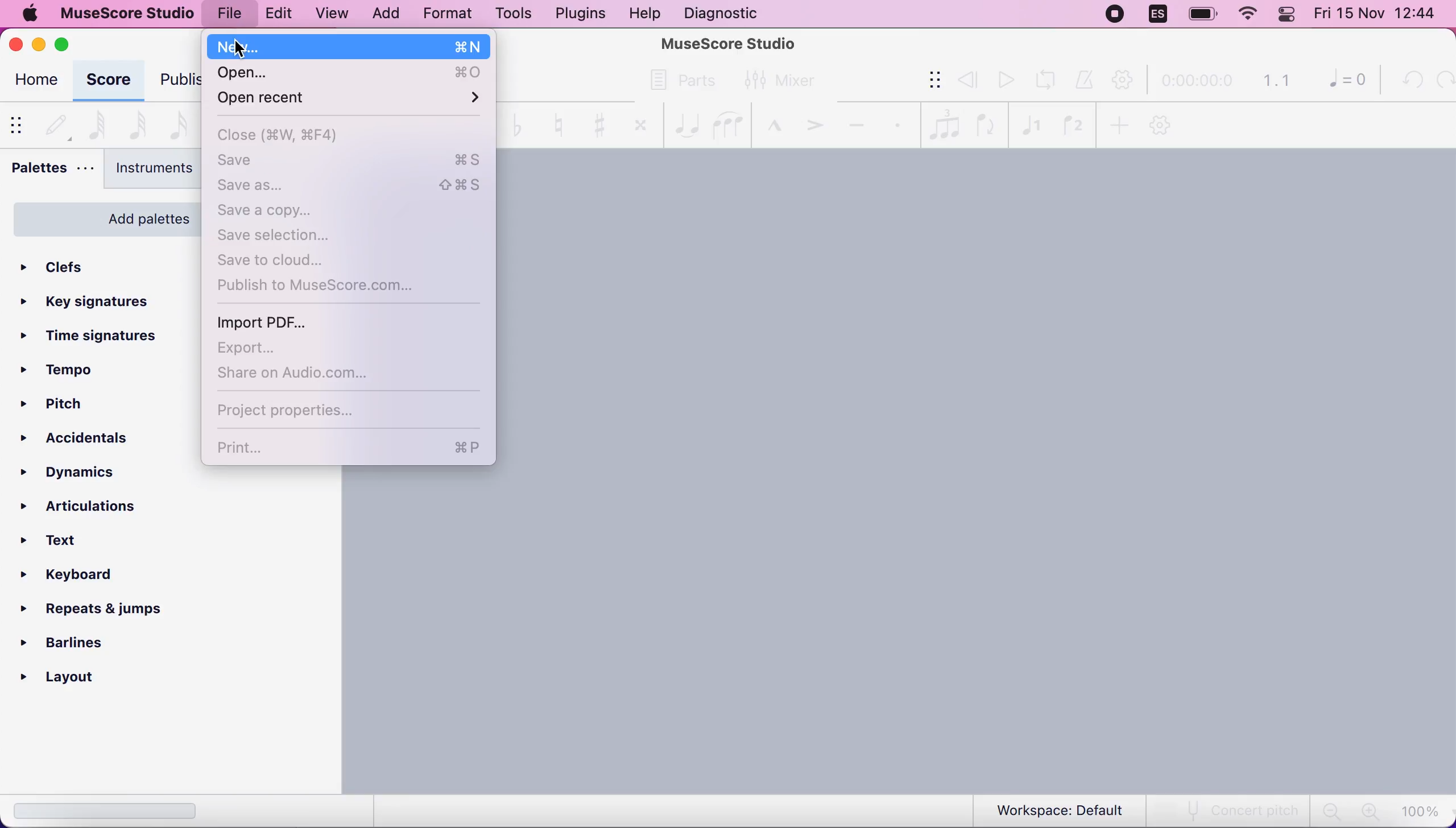 This screenshot has height=828, width=1456. What do you see at coordinates (1442, 80) in the screenshot?
I see `redo` at bounding box center [1442, 80].